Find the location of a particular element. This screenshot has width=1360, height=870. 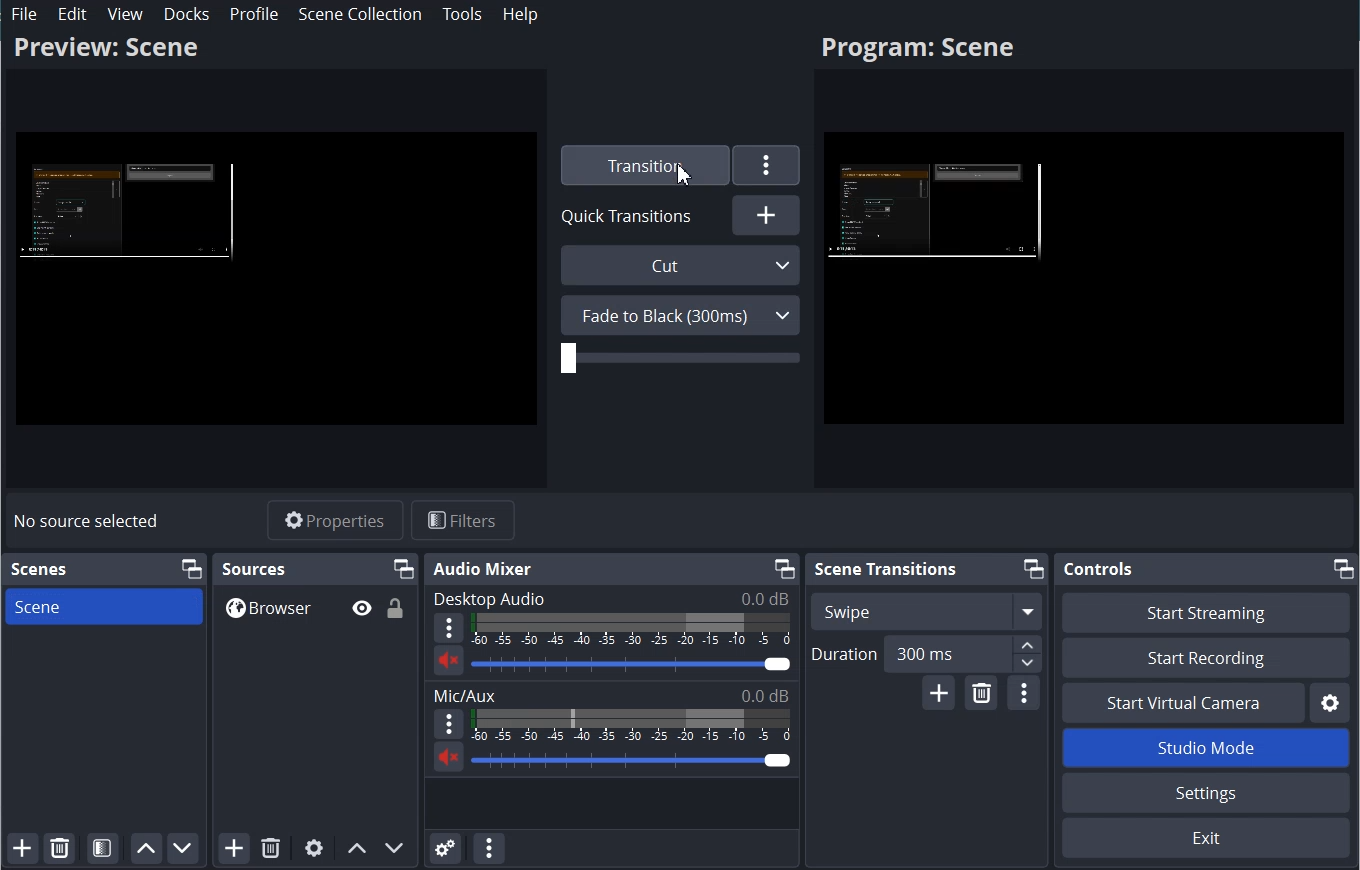

Sound Indicator is located at coordinates (632, 630).